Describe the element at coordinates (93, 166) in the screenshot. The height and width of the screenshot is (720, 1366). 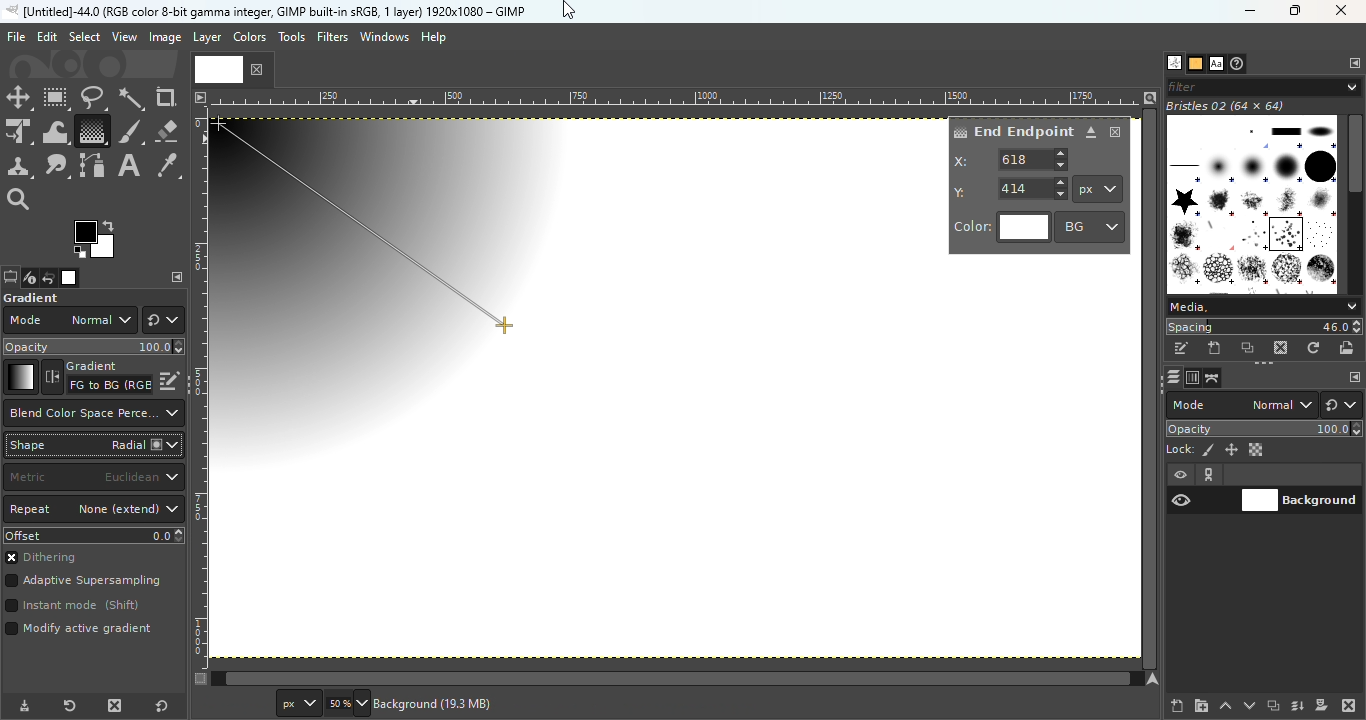
I see `Paths tool` at that location.